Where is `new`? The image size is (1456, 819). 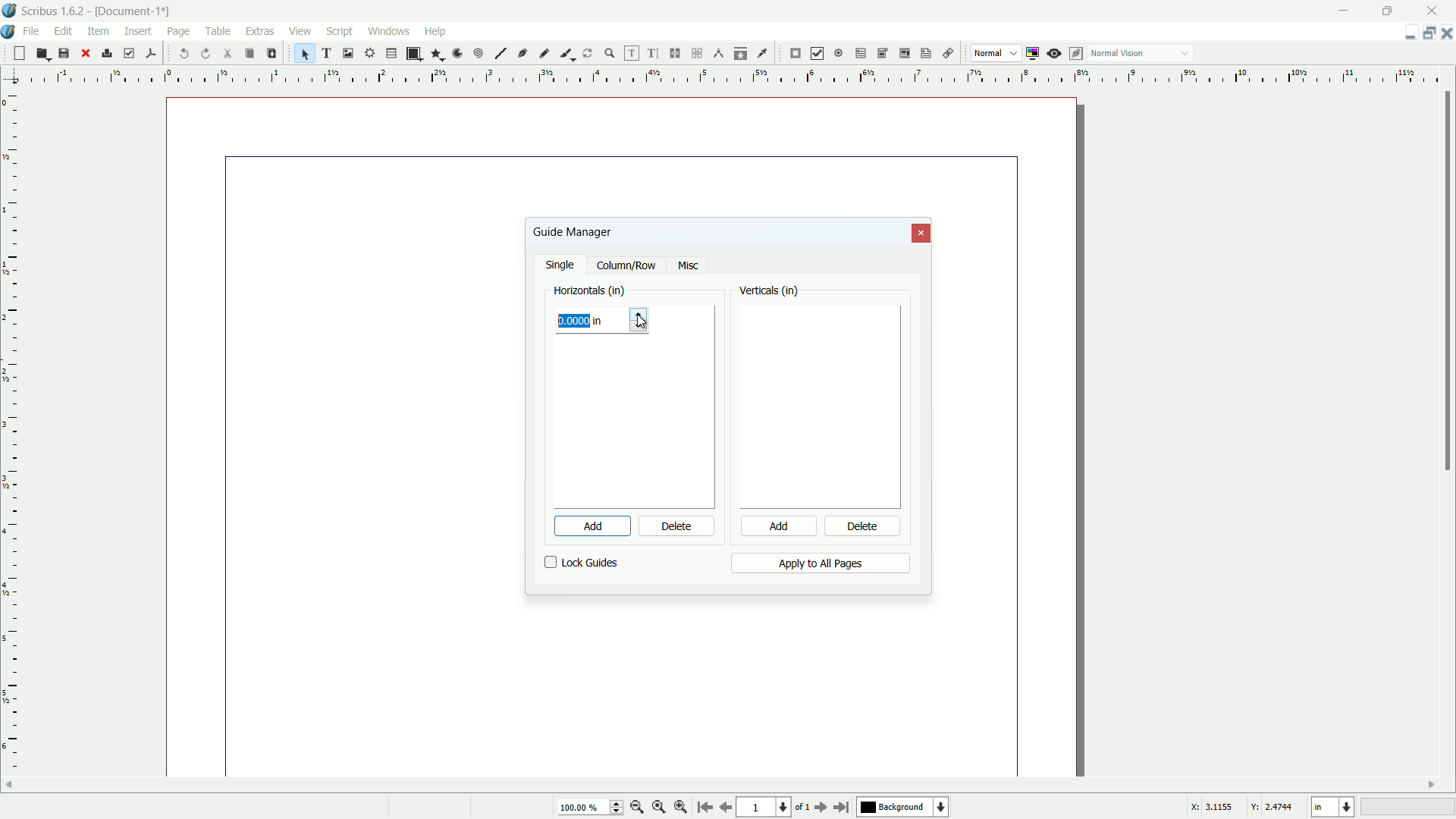 new is located at coordinates (17, 53).